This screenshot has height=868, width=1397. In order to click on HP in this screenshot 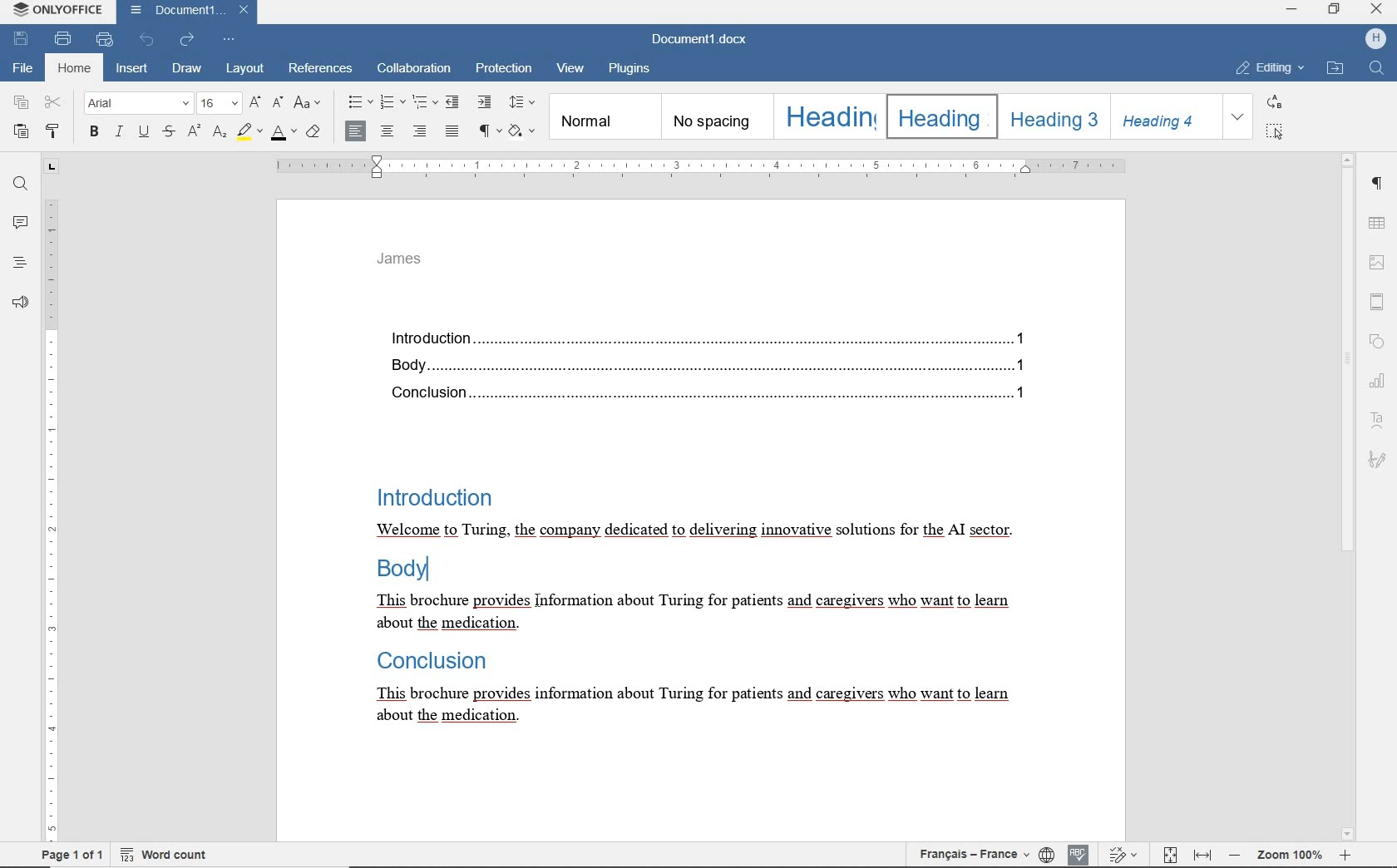, I will do `click(1375, 38)`.